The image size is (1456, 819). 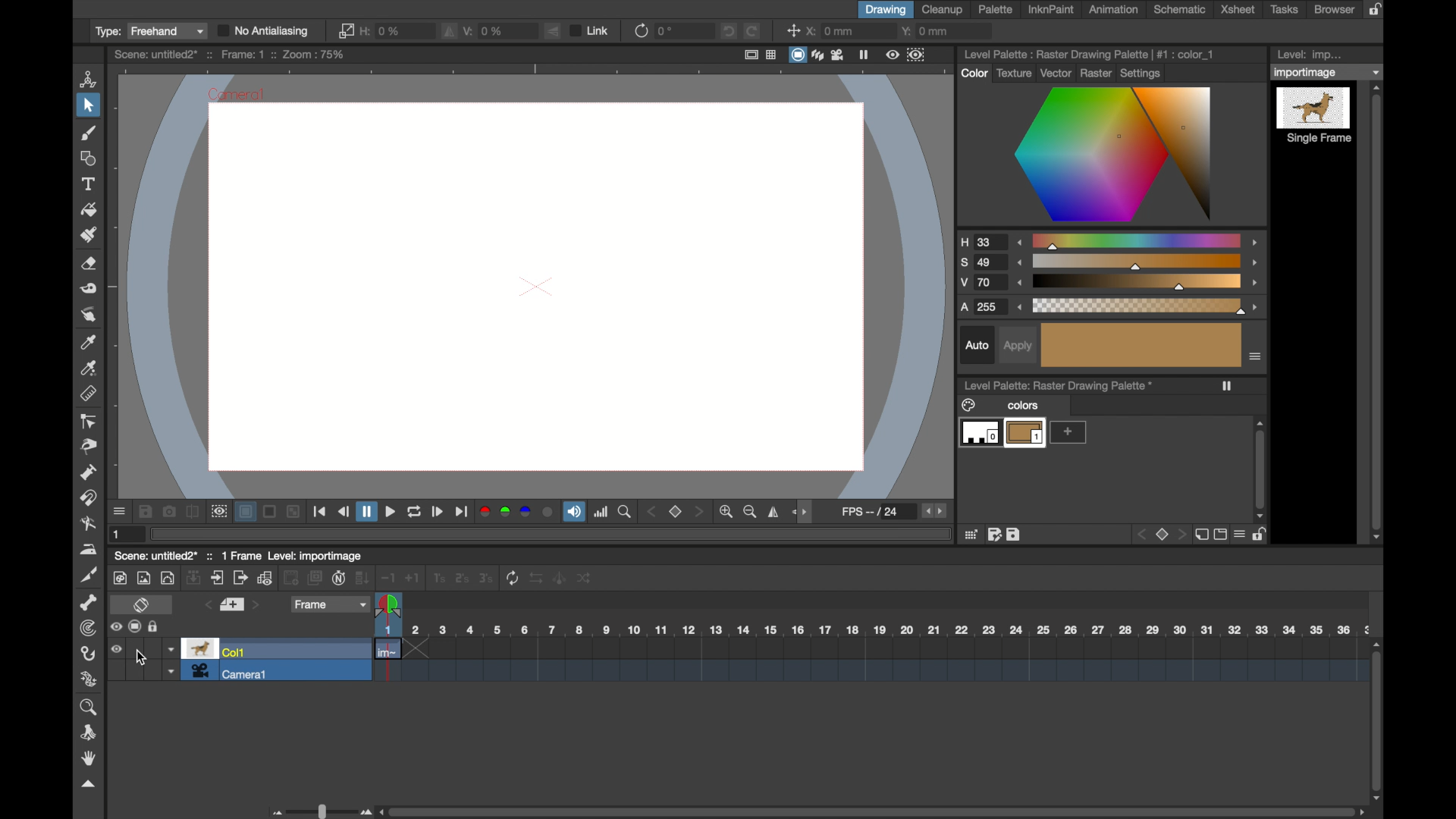 What do you see at coordinates (140, 606) in the screenshot?
I see `toggle xsheet` at bounding box center [140, 606].